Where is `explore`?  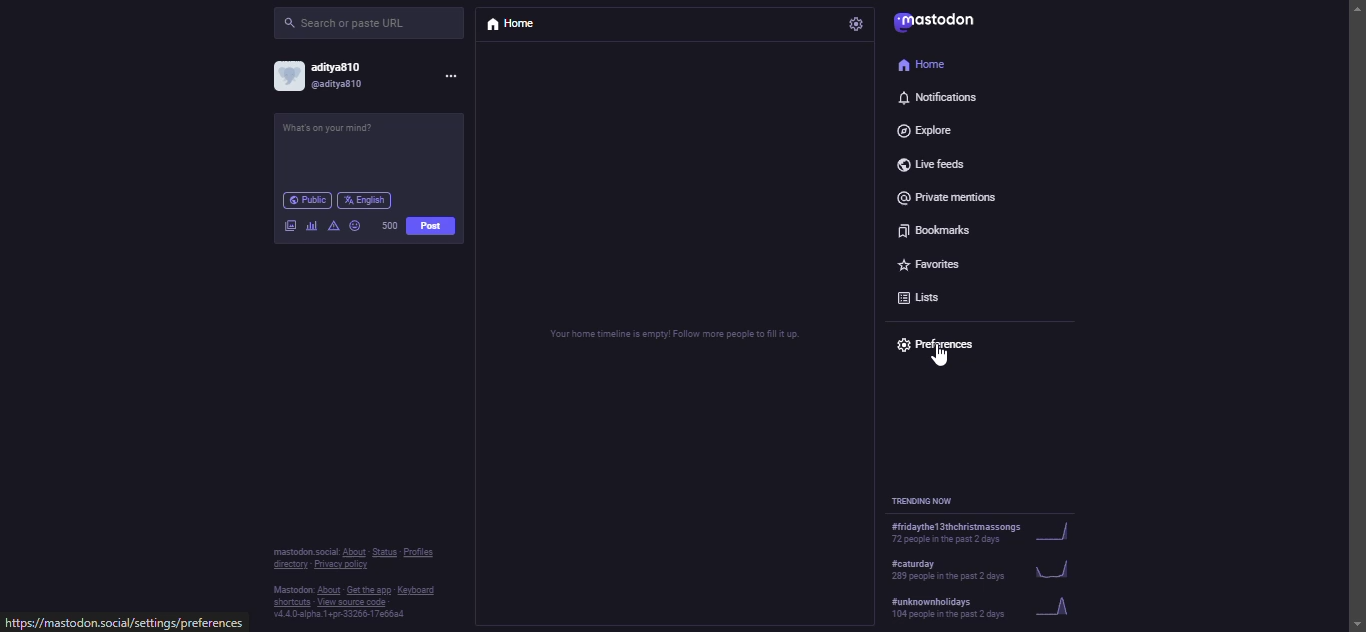
explore is located at coordinates (928, 130).